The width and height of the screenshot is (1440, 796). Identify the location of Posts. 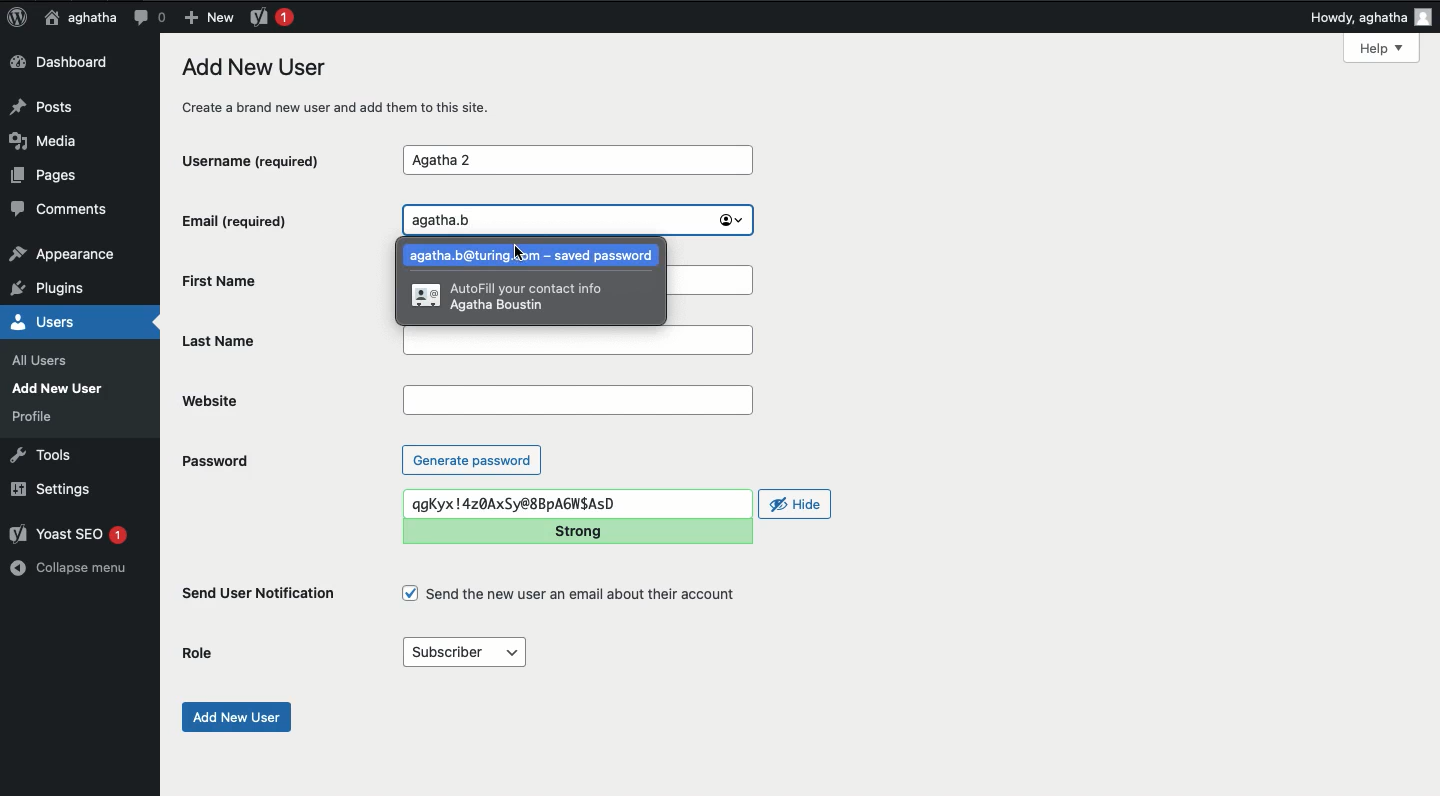
(47, 105).